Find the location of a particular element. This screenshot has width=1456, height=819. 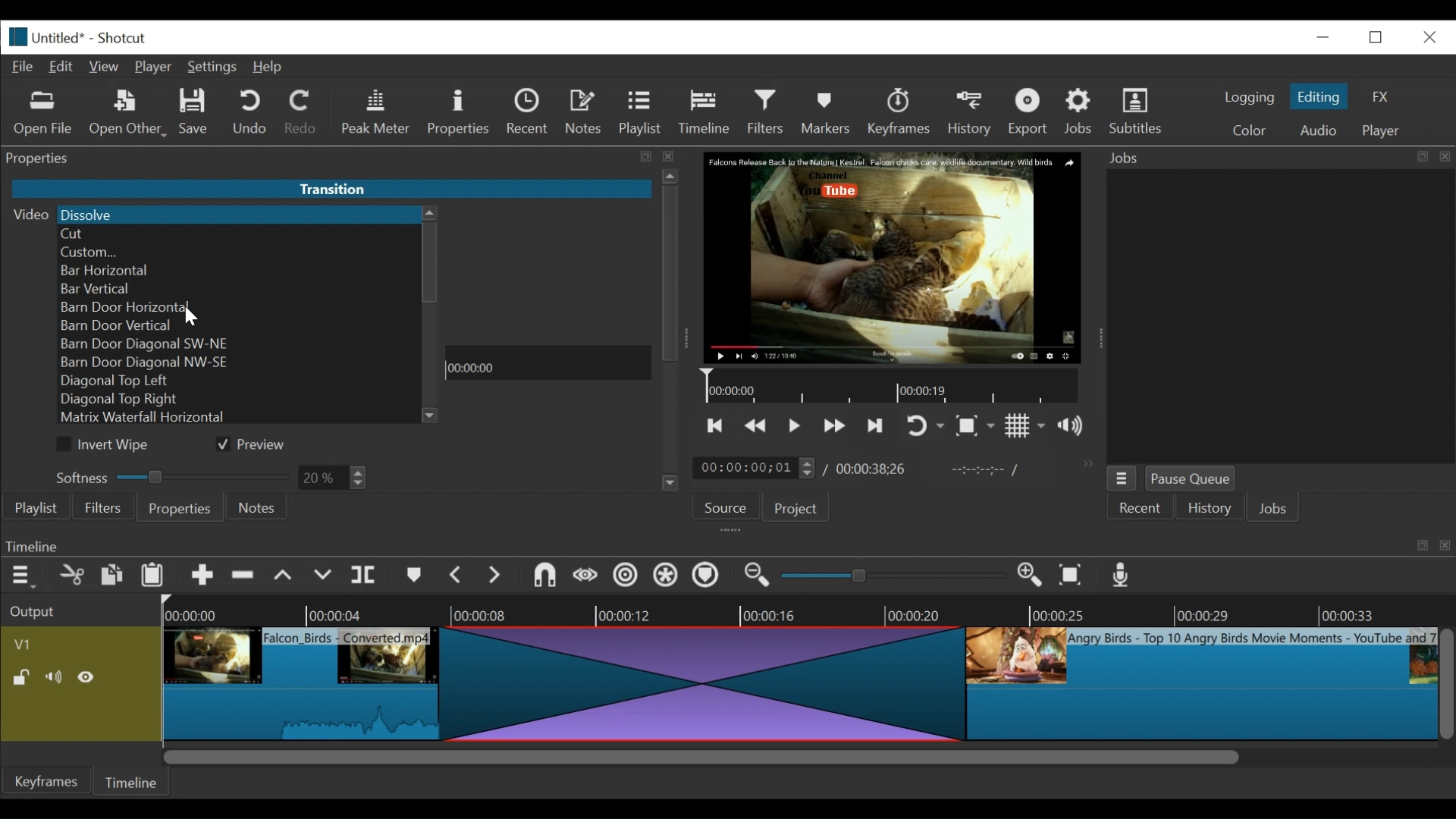

File name is located at coordinates (61, 39).